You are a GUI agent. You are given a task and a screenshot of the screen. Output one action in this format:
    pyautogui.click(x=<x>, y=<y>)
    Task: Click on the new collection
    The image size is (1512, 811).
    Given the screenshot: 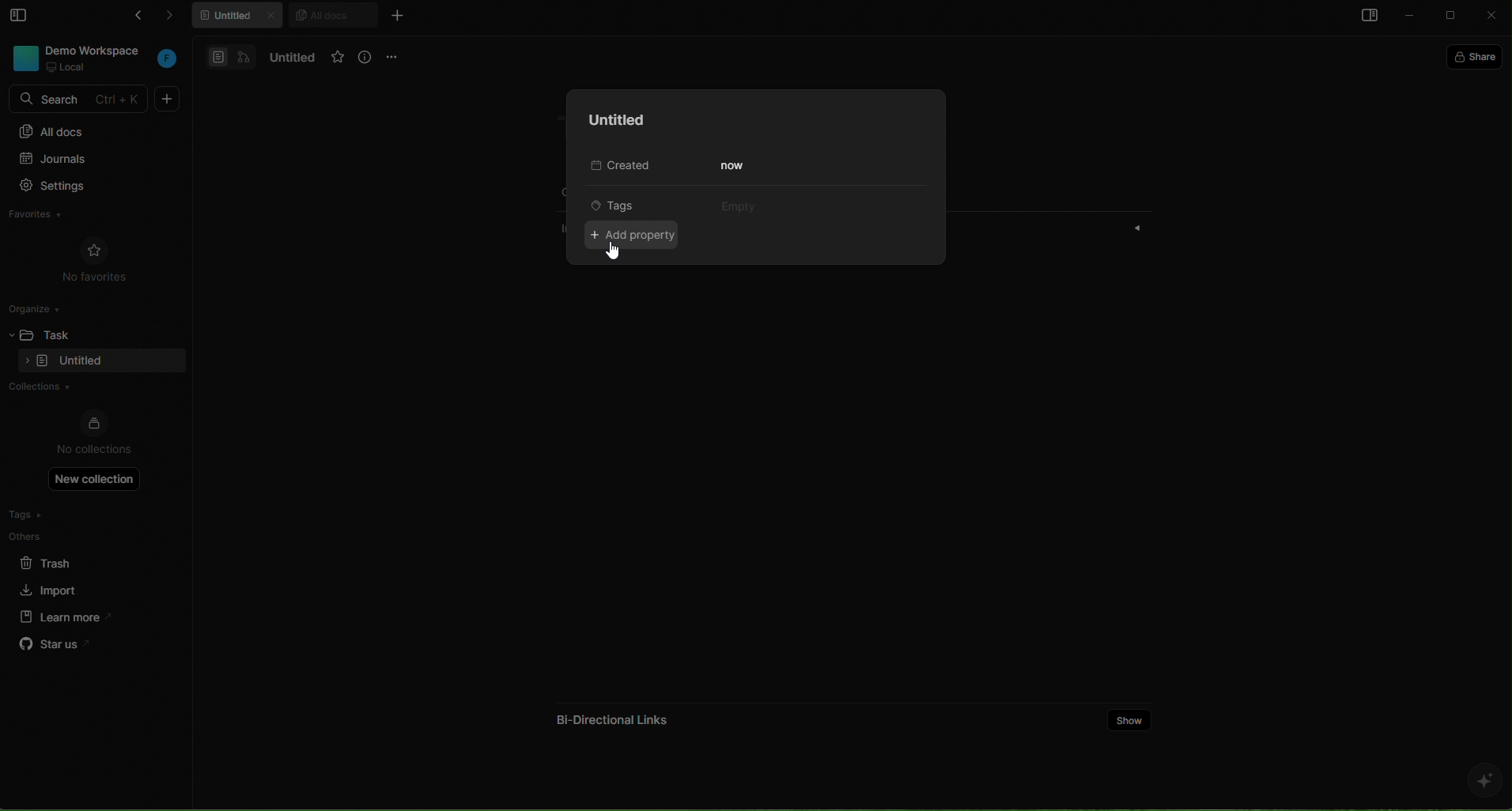 What is the action you would take?
    pyautogui.click(x=95, y=478)
    